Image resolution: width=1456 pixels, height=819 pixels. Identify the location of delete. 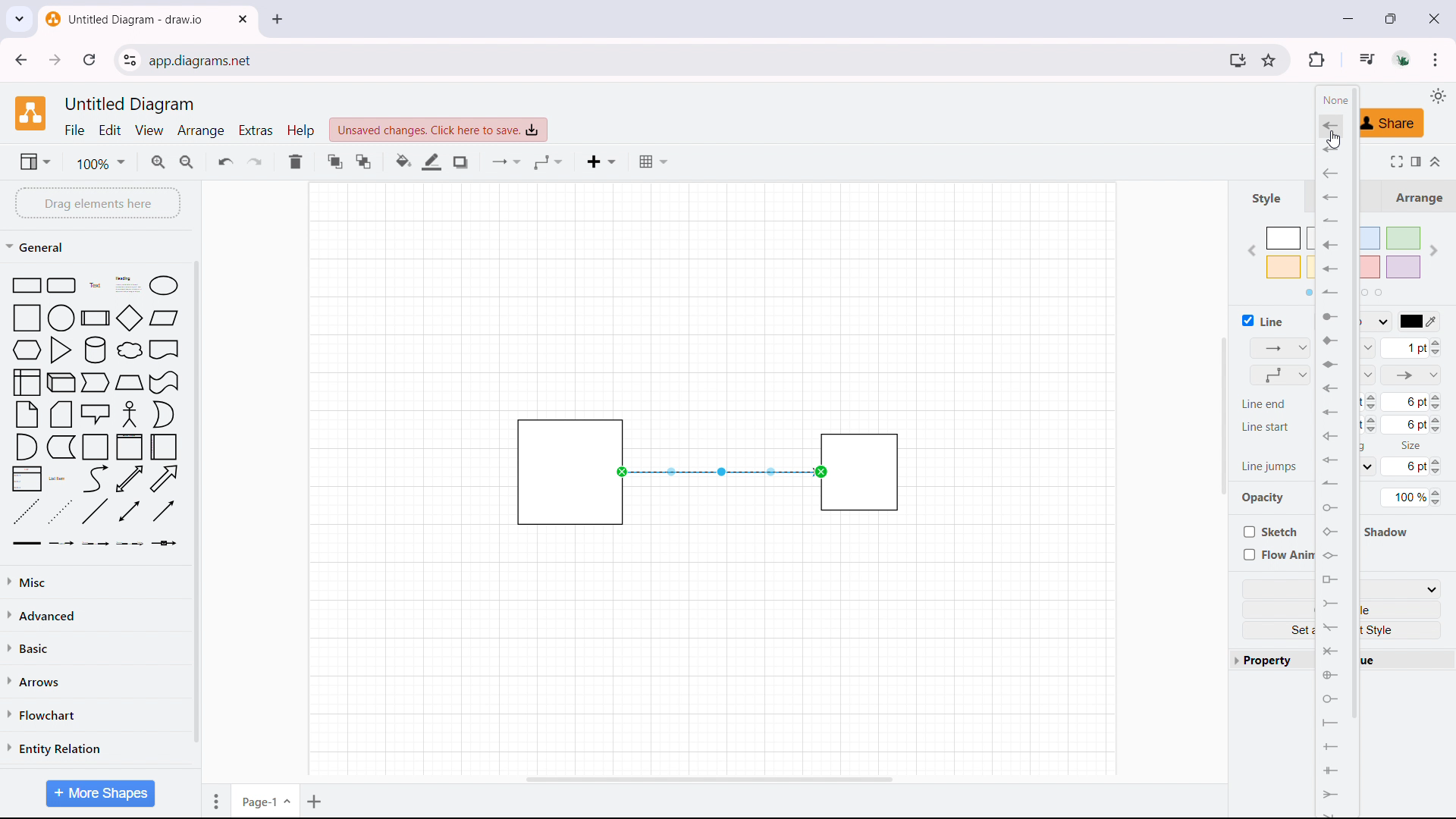
(295, 162).